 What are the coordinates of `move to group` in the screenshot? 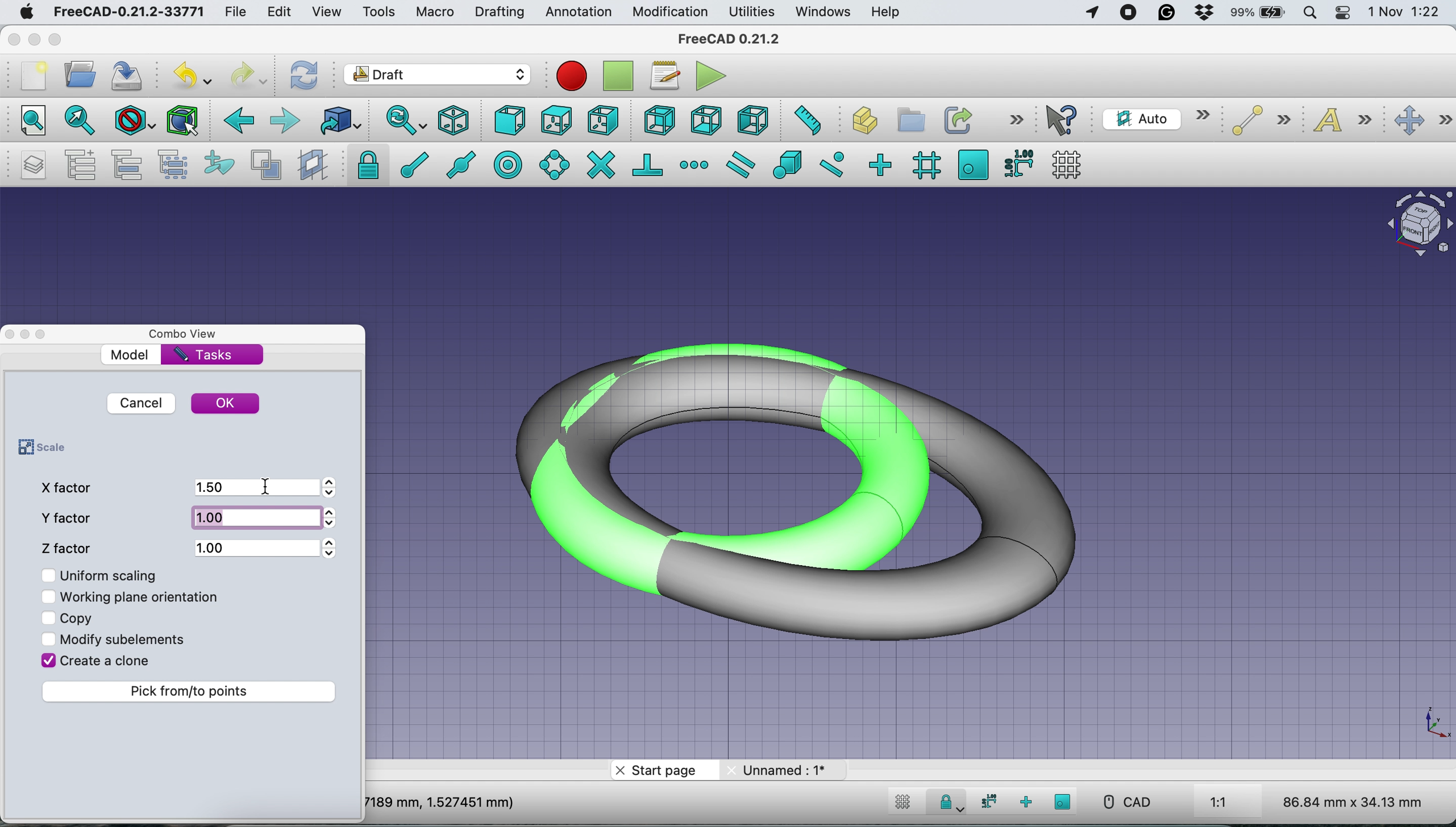 It's located at (131, 165).